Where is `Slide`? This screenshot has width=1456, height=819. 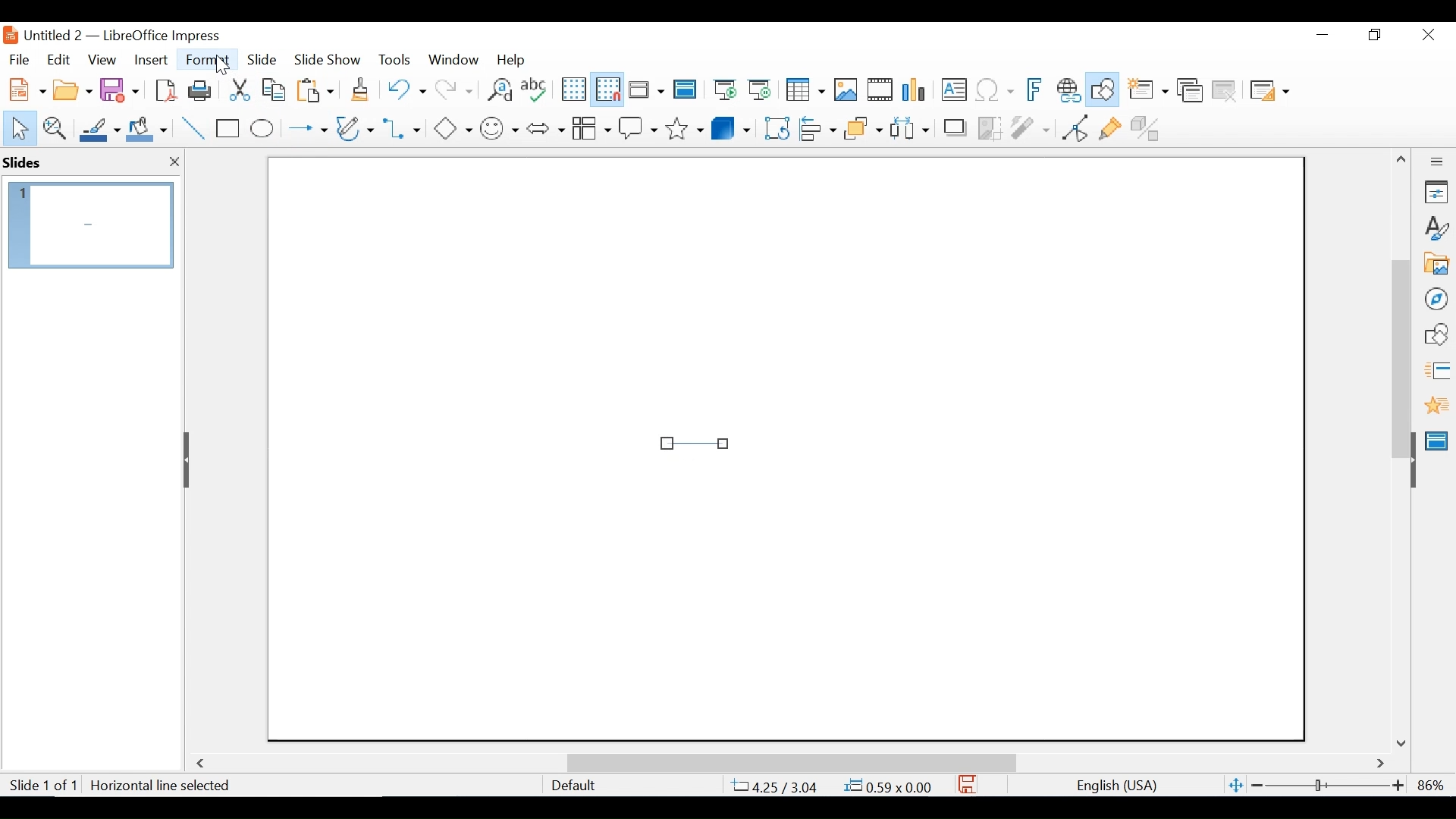 Slide is located at coordinates (262, 58).